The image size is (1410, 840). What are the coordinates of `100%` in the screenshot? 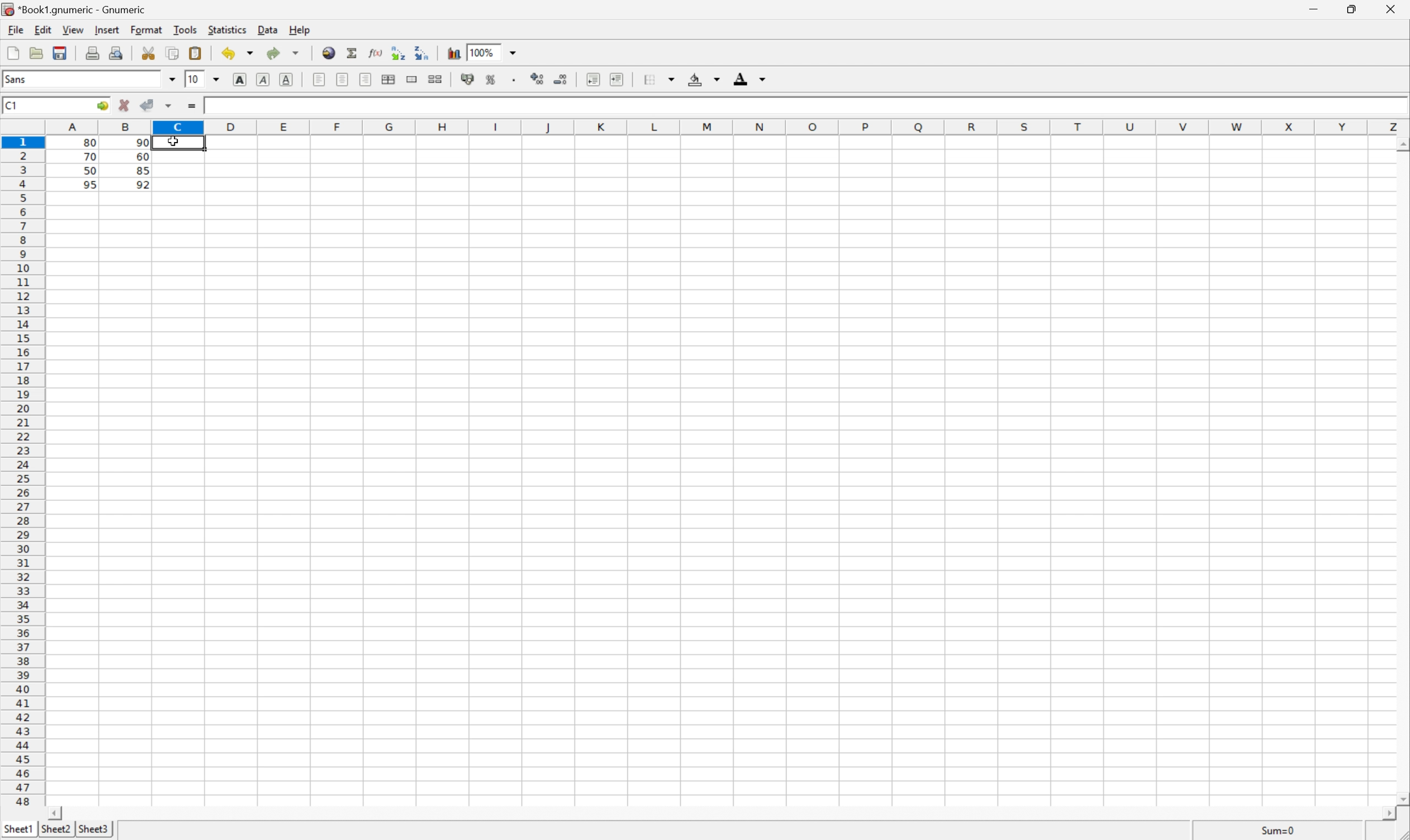 It's located at (490, 52).